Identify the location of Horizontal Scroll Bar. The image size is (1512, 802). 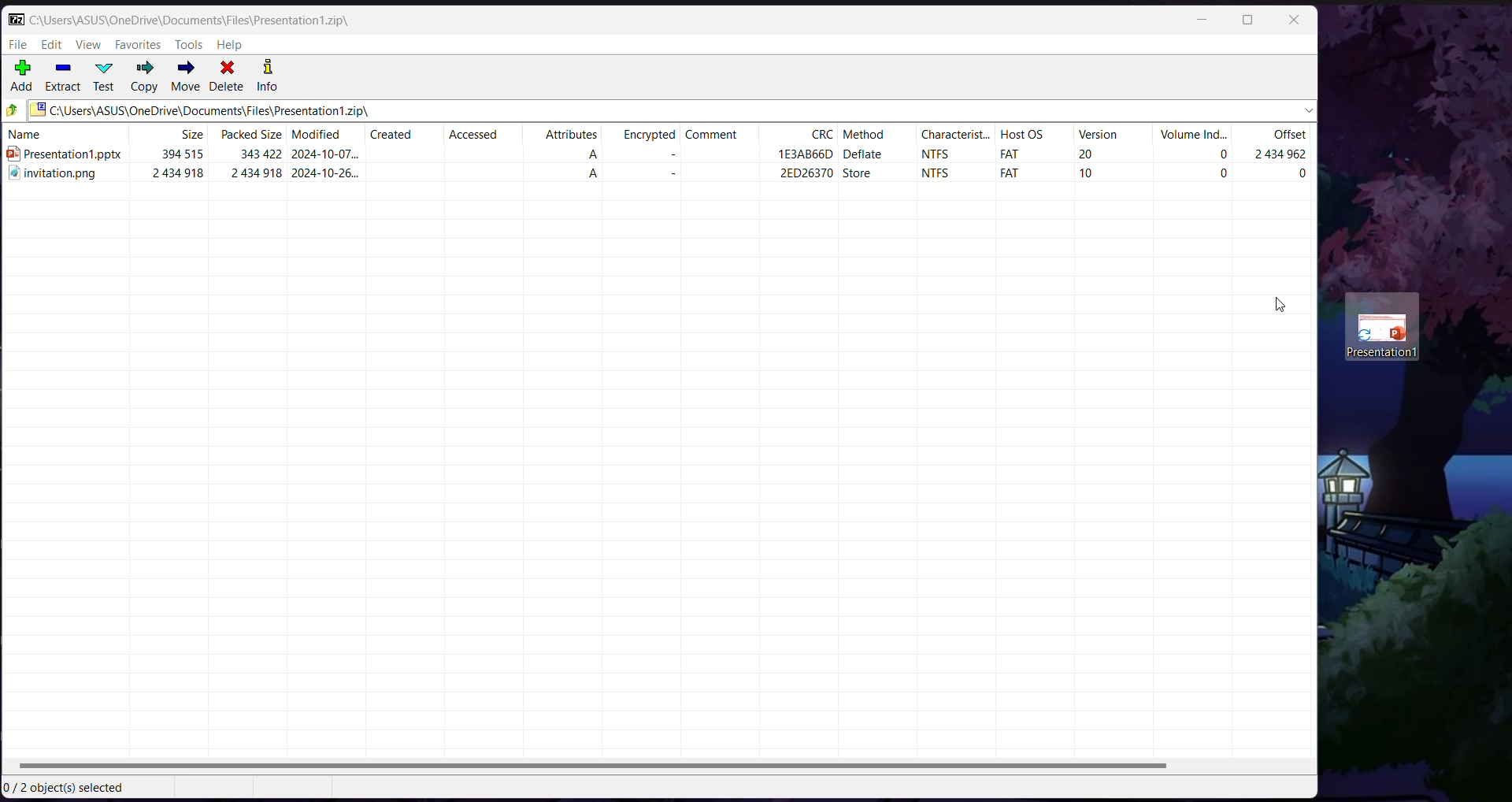
(659, 767).